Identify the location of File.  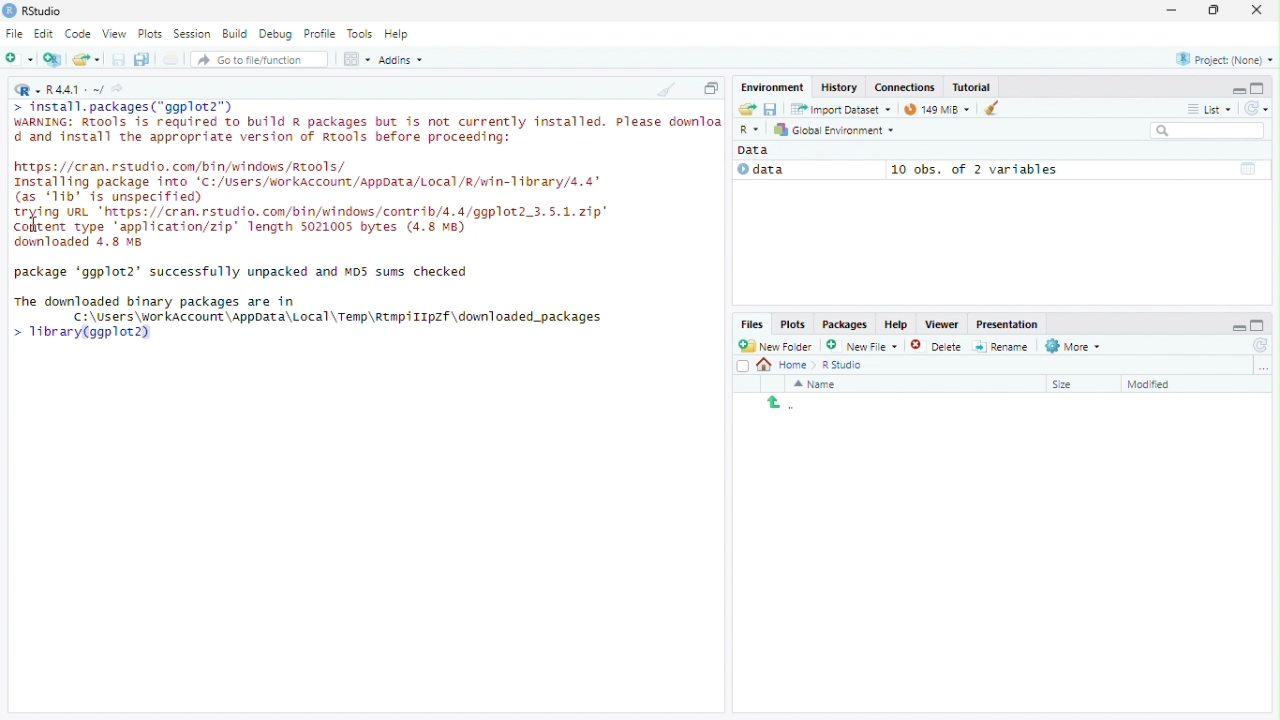
(14, 33).